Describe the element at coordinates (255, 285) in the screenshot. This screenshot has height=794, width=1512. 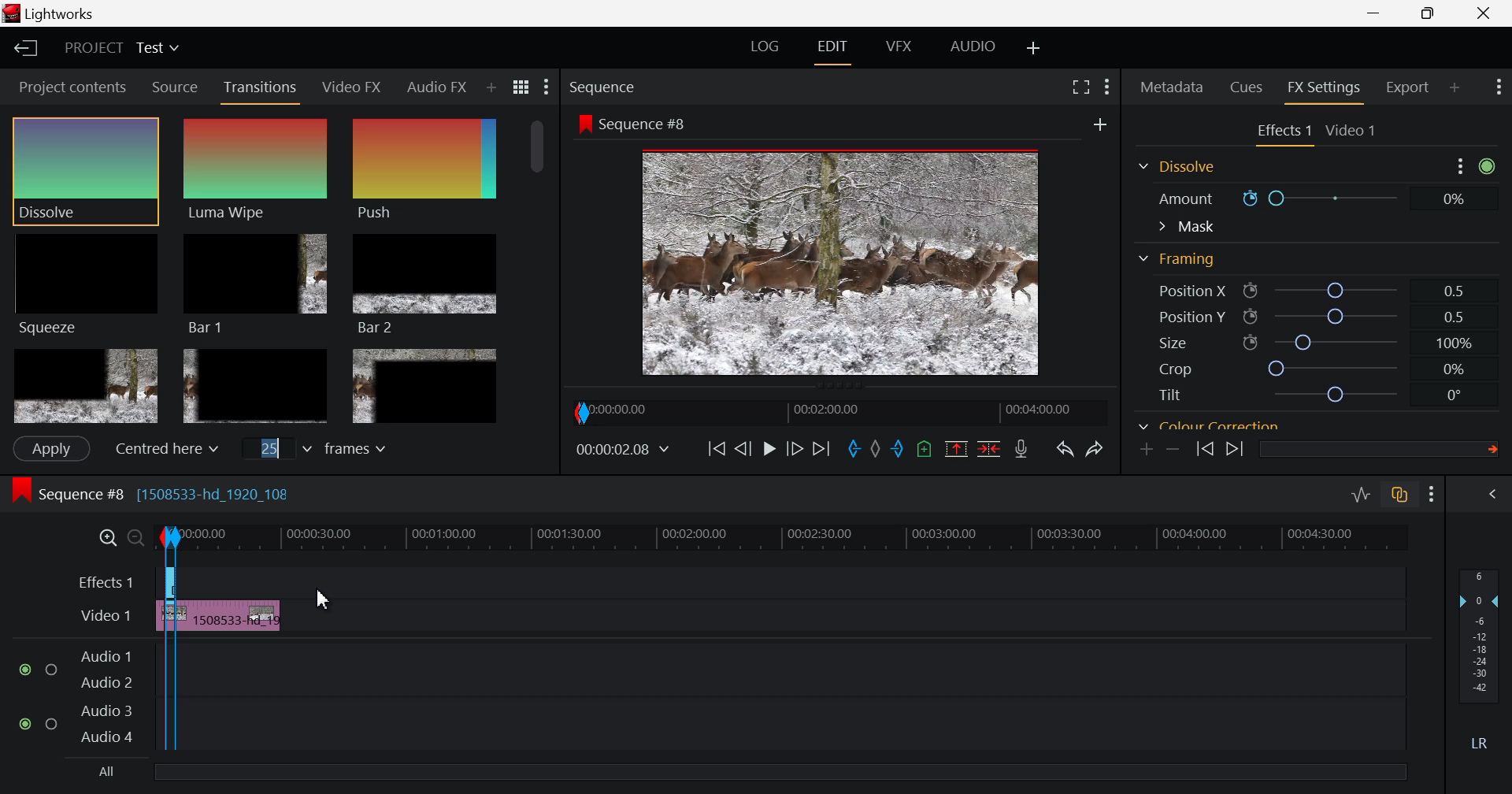
I see `Bar 1` at that location.